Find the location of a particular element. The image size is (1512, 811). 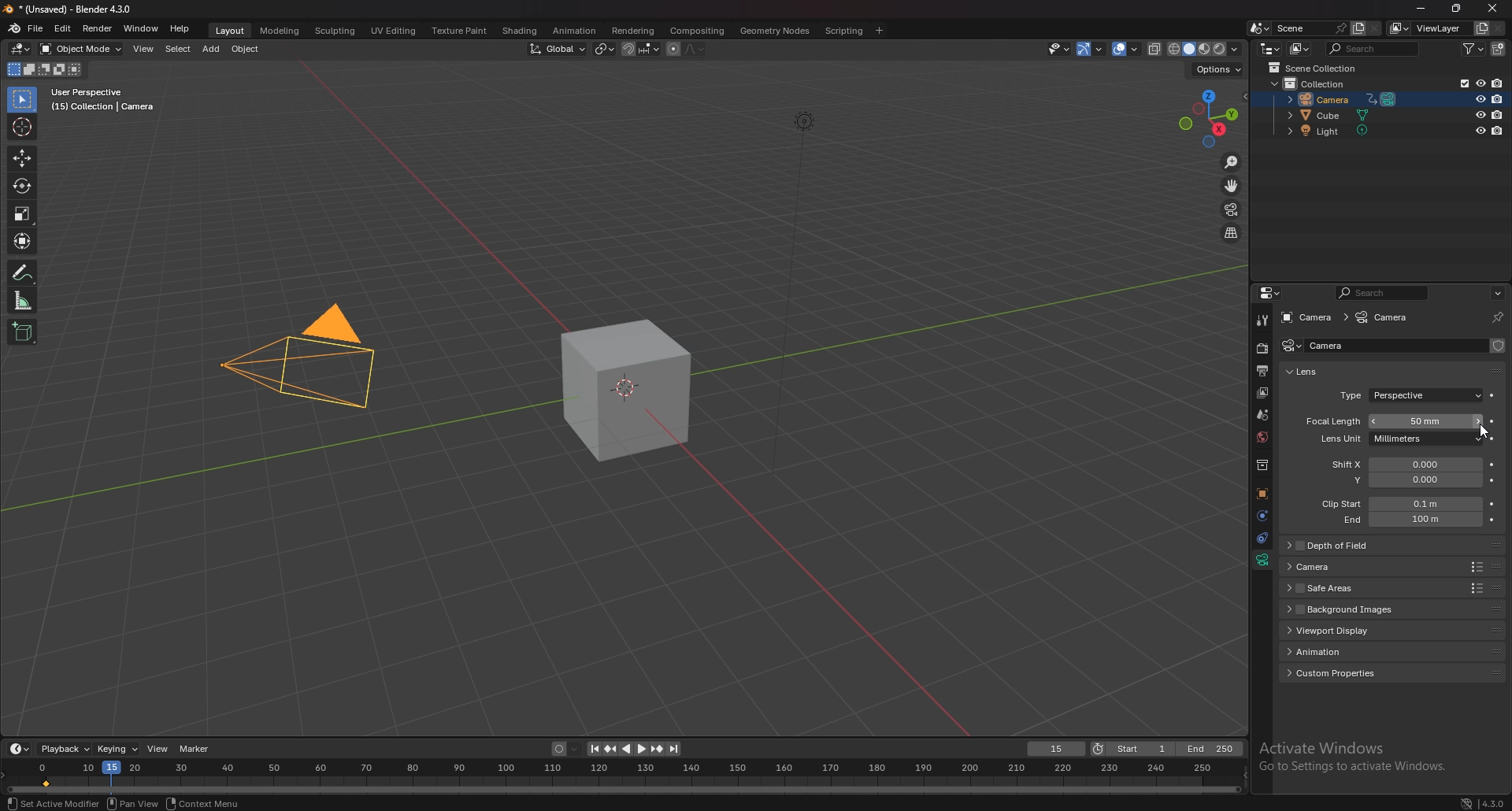

modeling is located at coordinates (280, 31).